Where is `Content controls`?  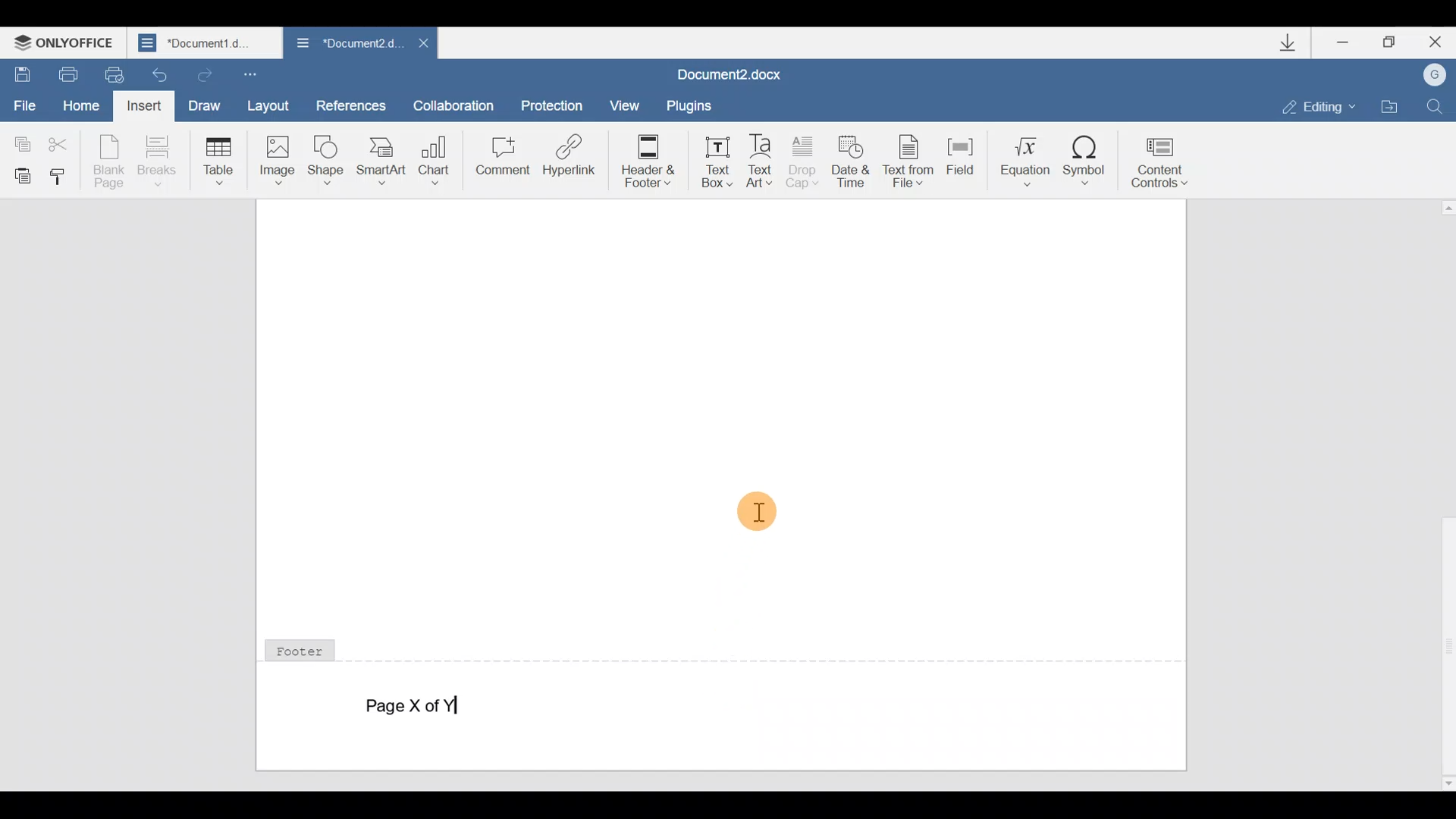
Content controls is located at coordinates (1168, 158).